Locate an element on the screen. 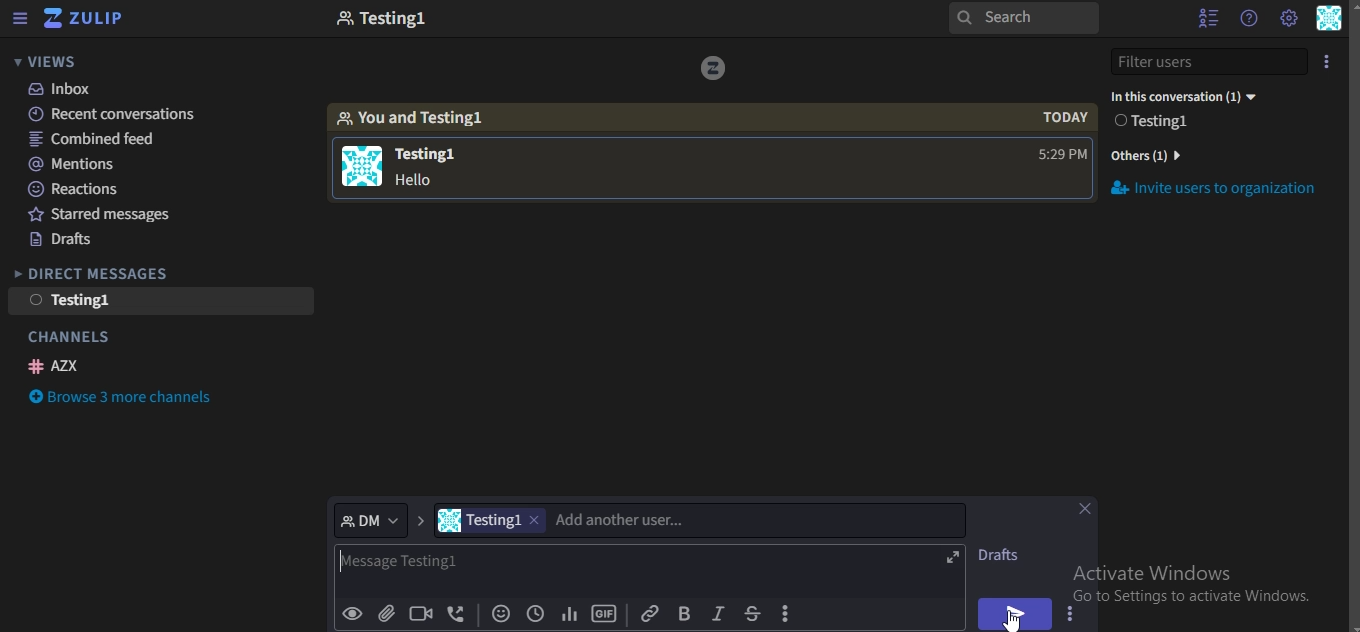  direct messages is located at coordinates (94, 276).